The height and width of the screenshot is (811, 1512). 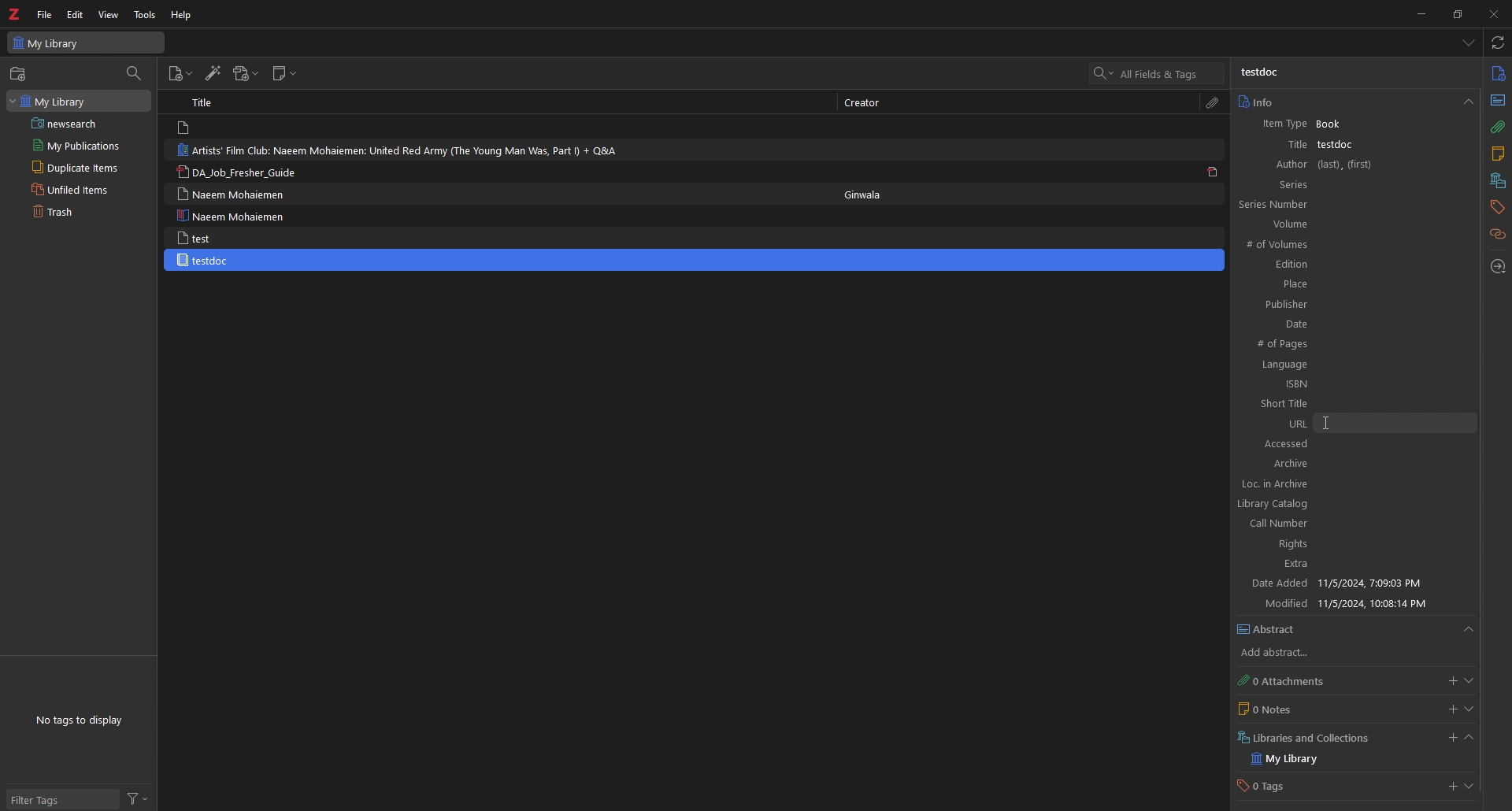 What do you see at coordinates (1497, 235) in the screenshot?
I see `related` at bounding box center [1497, 235].